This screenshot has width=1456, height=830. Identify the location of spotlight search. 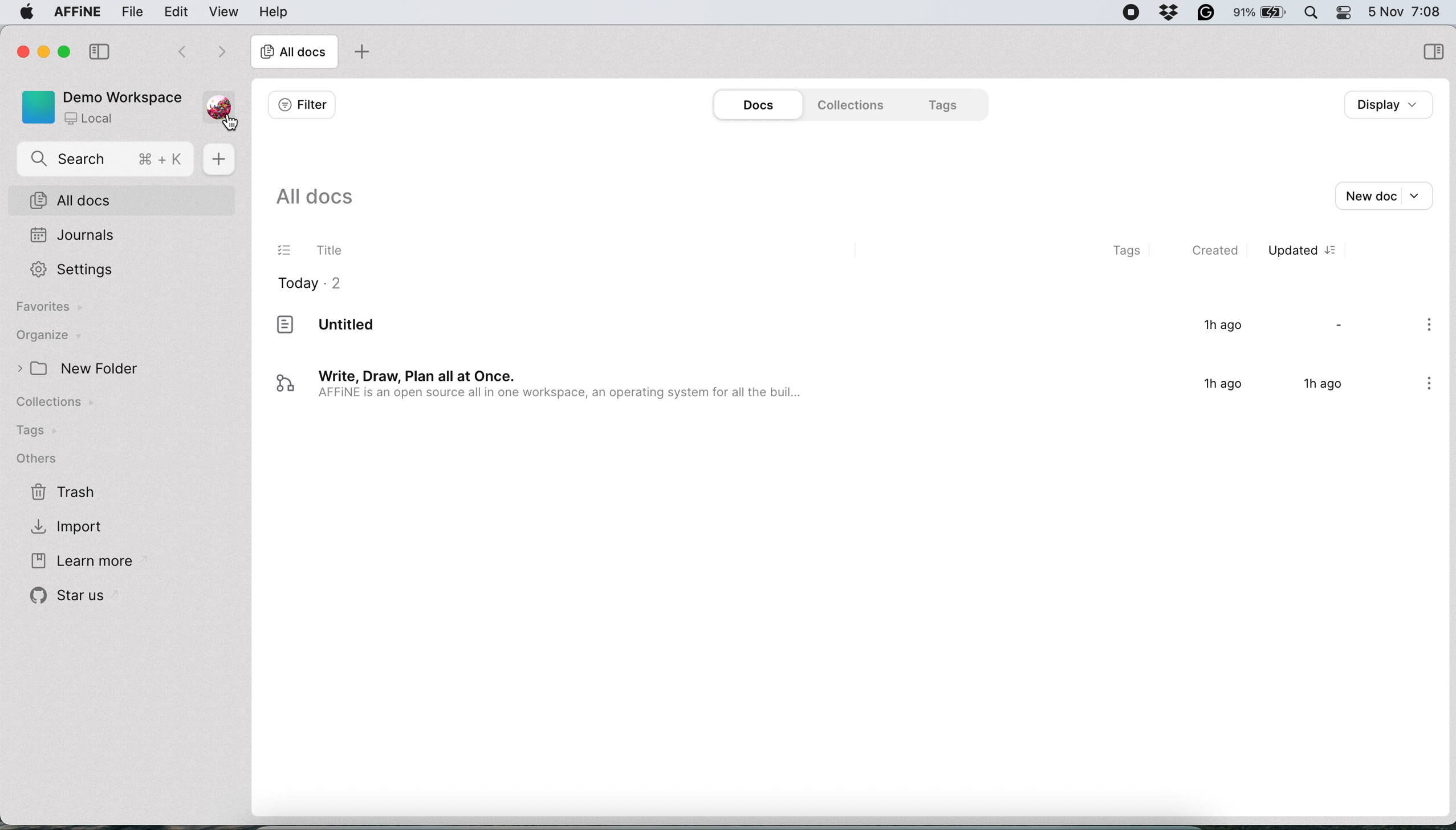
(1313, 13).